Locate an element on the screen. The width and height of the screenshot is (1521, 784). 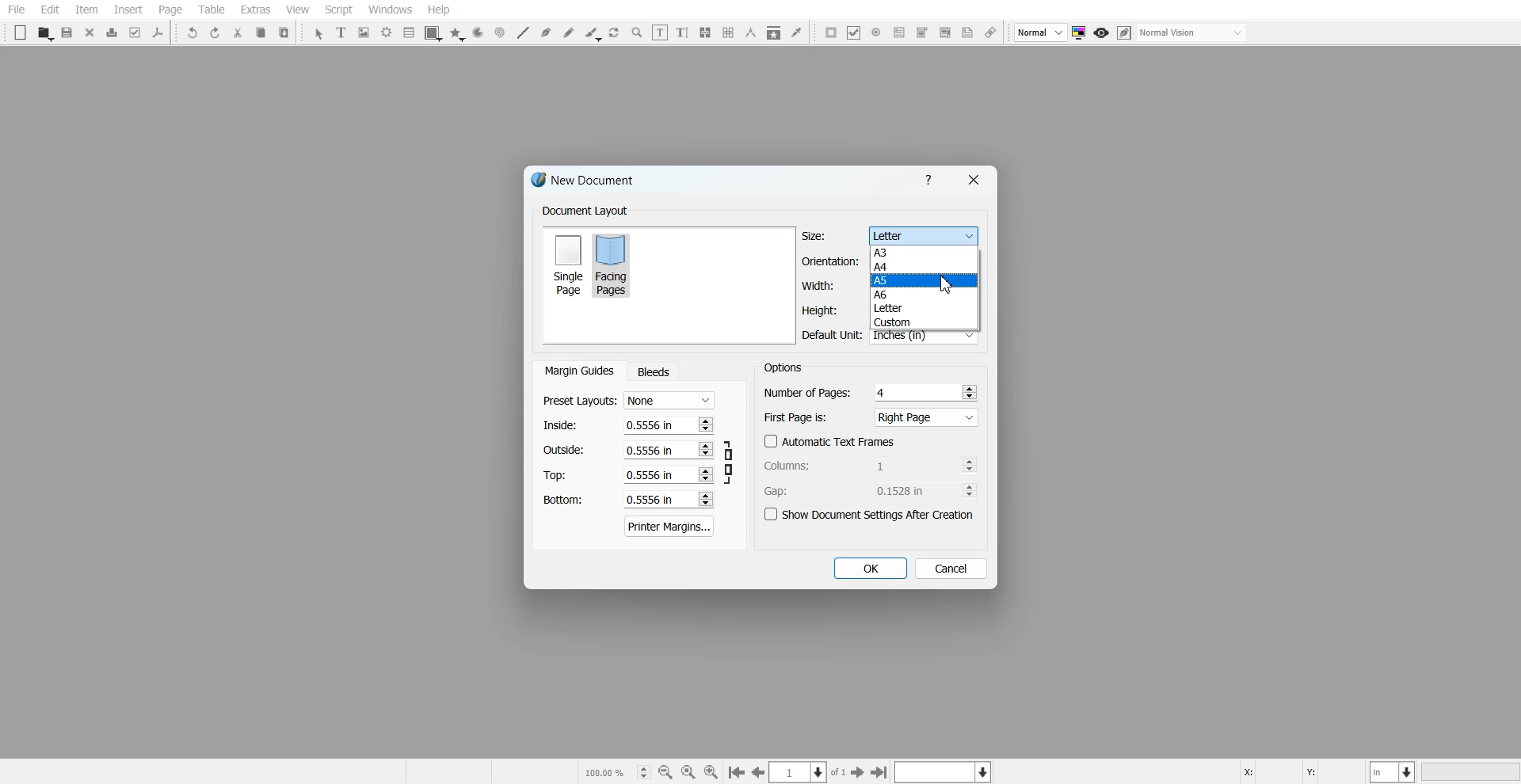
Script is located at coordinates (339, 10).